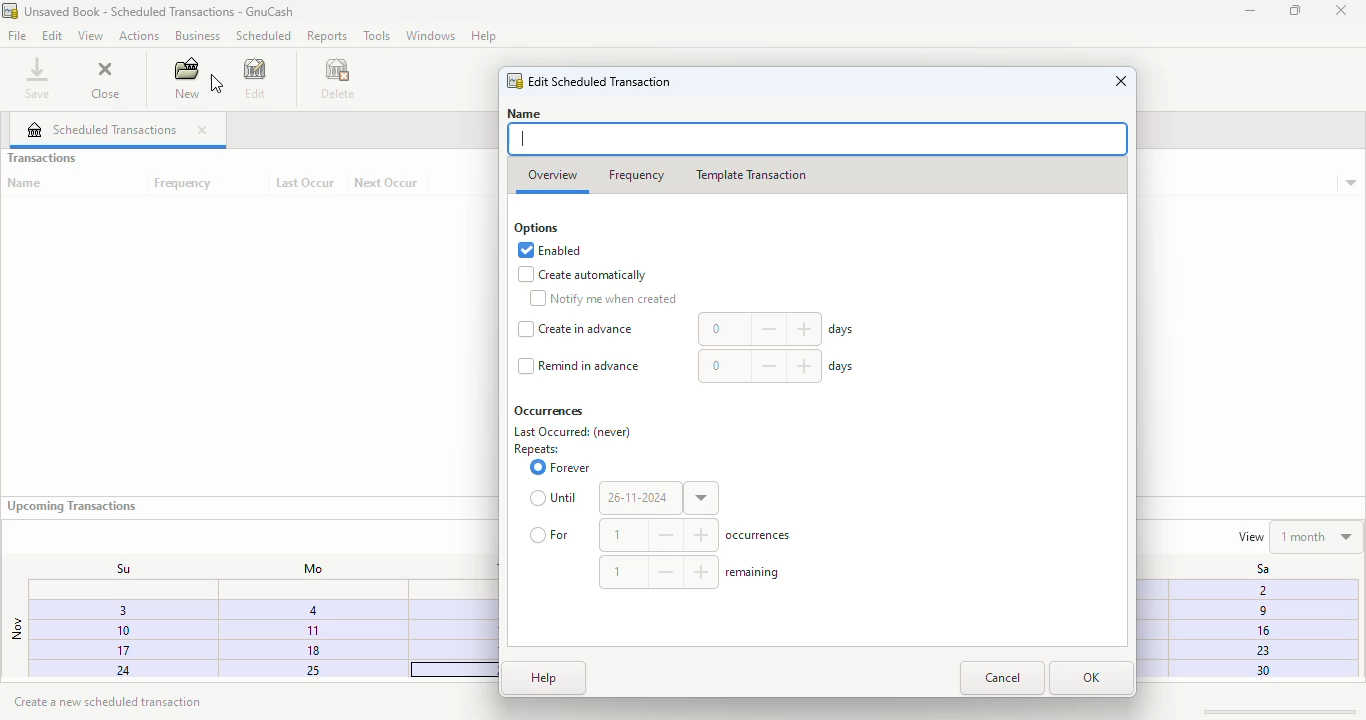 This screenshot has height=720, width=1366. Describe the element at coordinates (1259, 589) in the screenshot. I see `Fi` at that location.